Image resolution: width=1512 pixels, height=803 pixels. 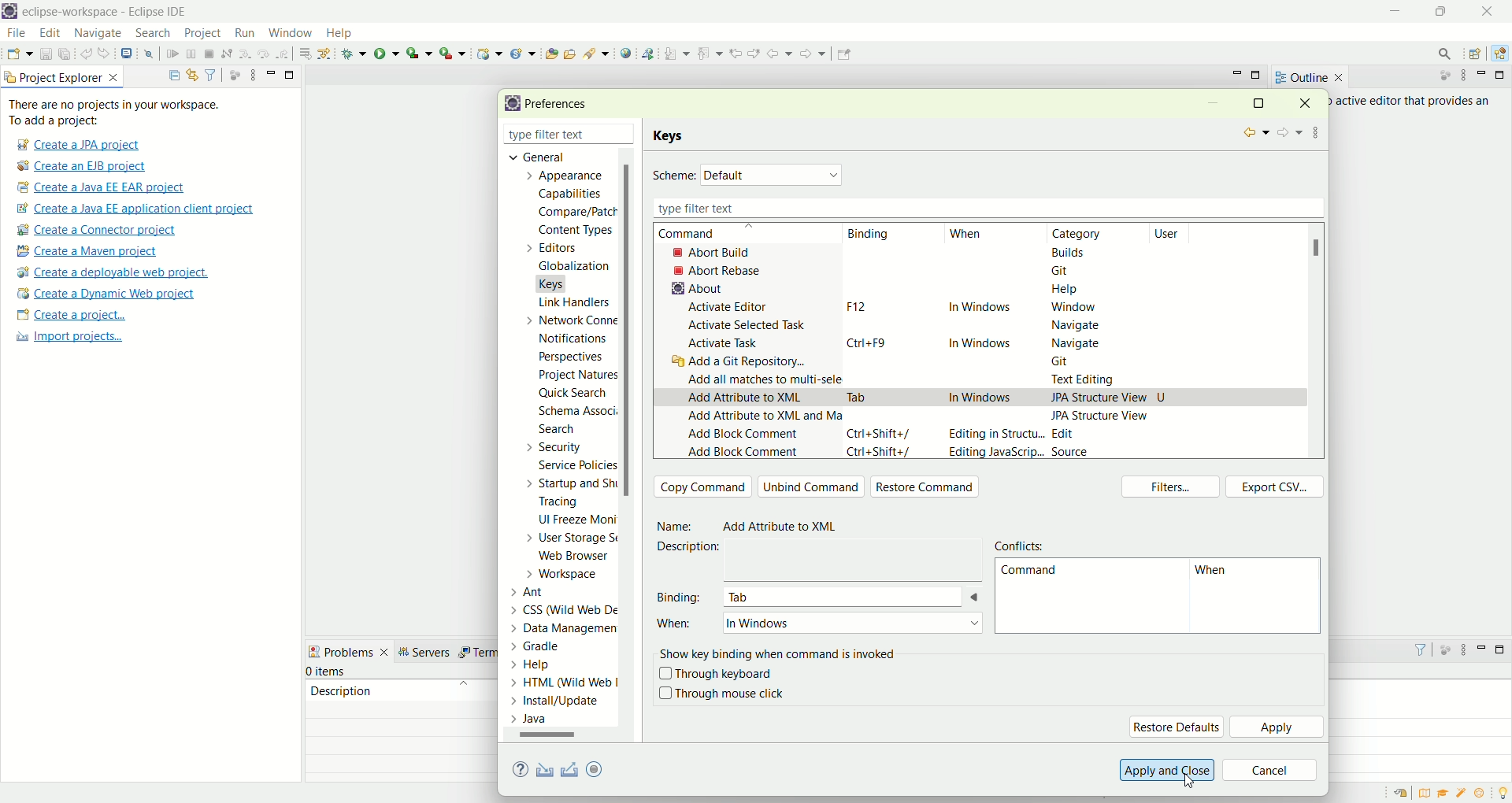 I want to click on  Data Management, so click(x=554, y=627).